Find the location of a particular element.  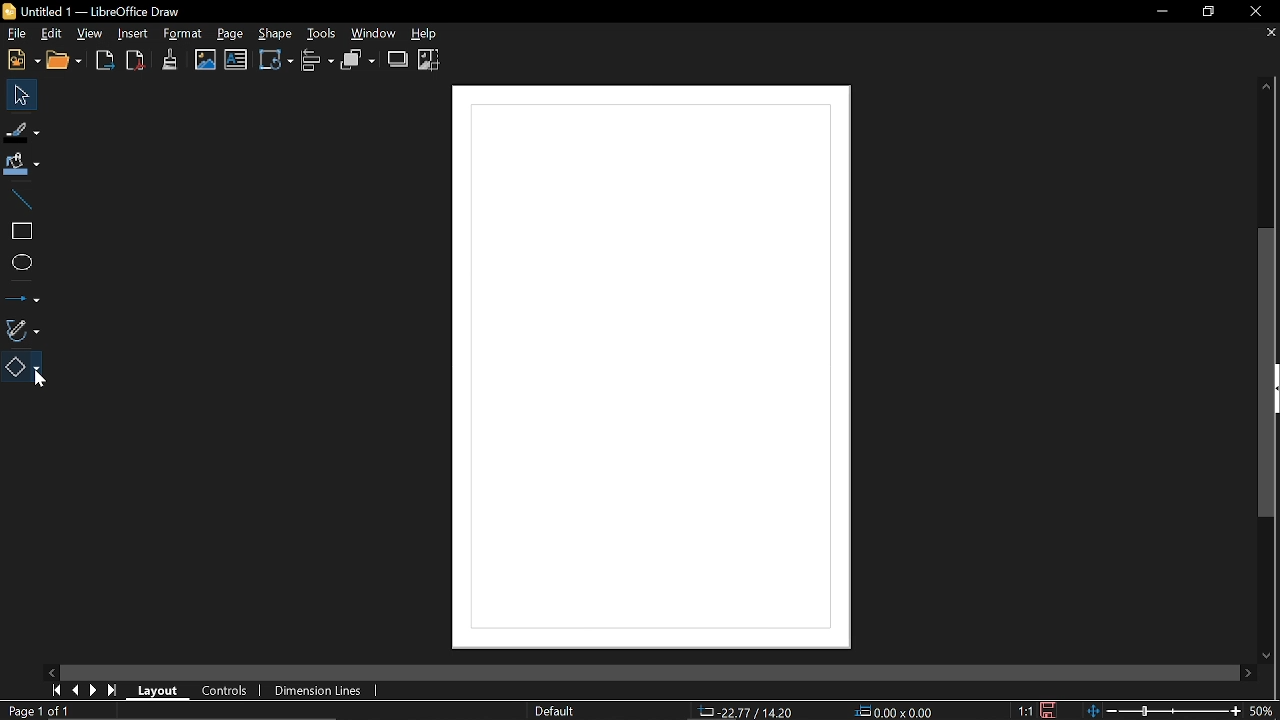

shape is located at coordinates (274, 33).